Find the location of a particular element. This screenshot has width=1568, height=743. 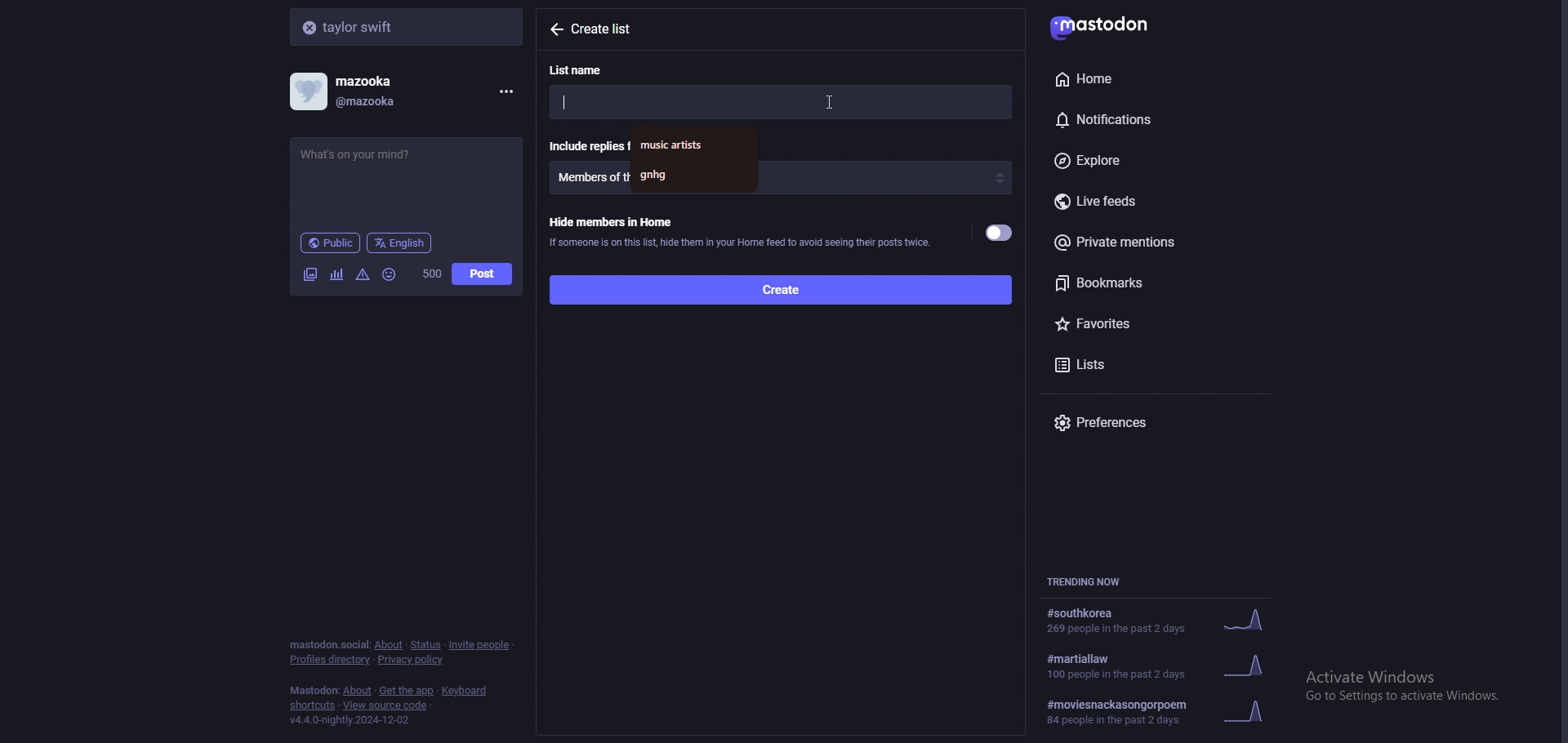

profiles directory is located at coordinates (331, 661).